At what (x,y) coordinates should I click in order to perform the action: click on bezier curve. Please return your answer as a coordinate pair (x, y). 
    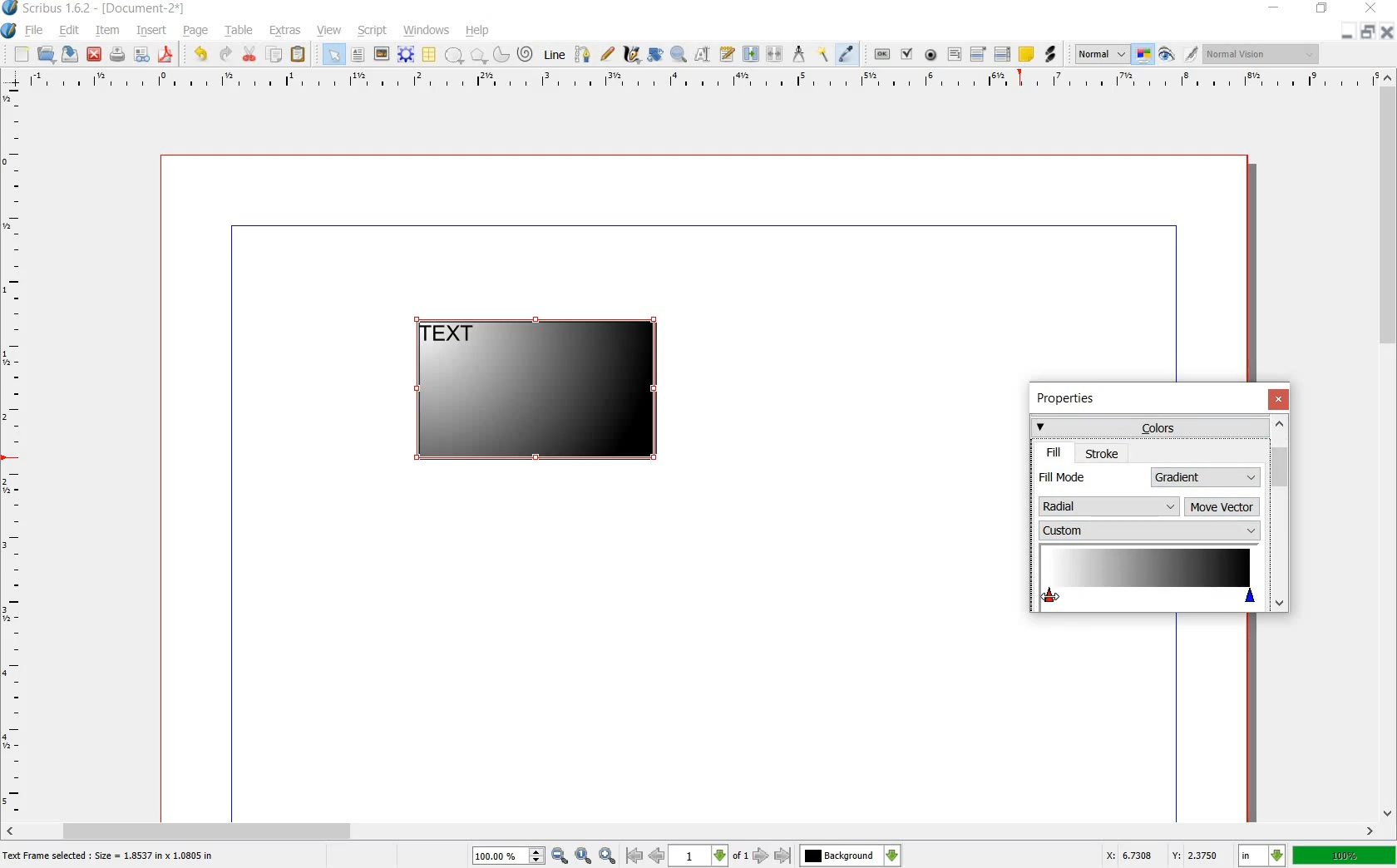
    Looking at the image, I should click on (584, 56).